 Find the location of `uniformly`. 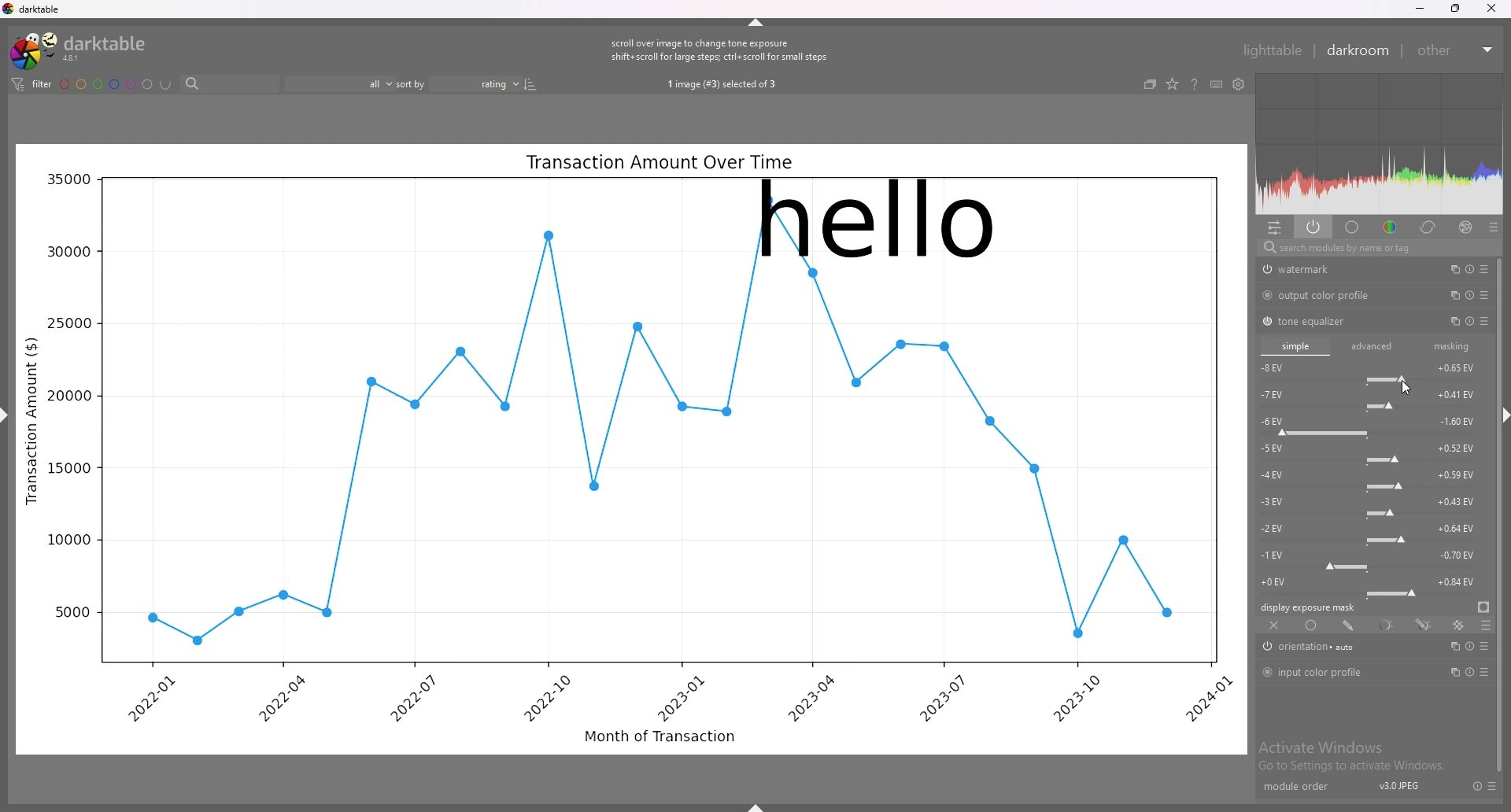

uniformly is located at coordinates (1313, 625).